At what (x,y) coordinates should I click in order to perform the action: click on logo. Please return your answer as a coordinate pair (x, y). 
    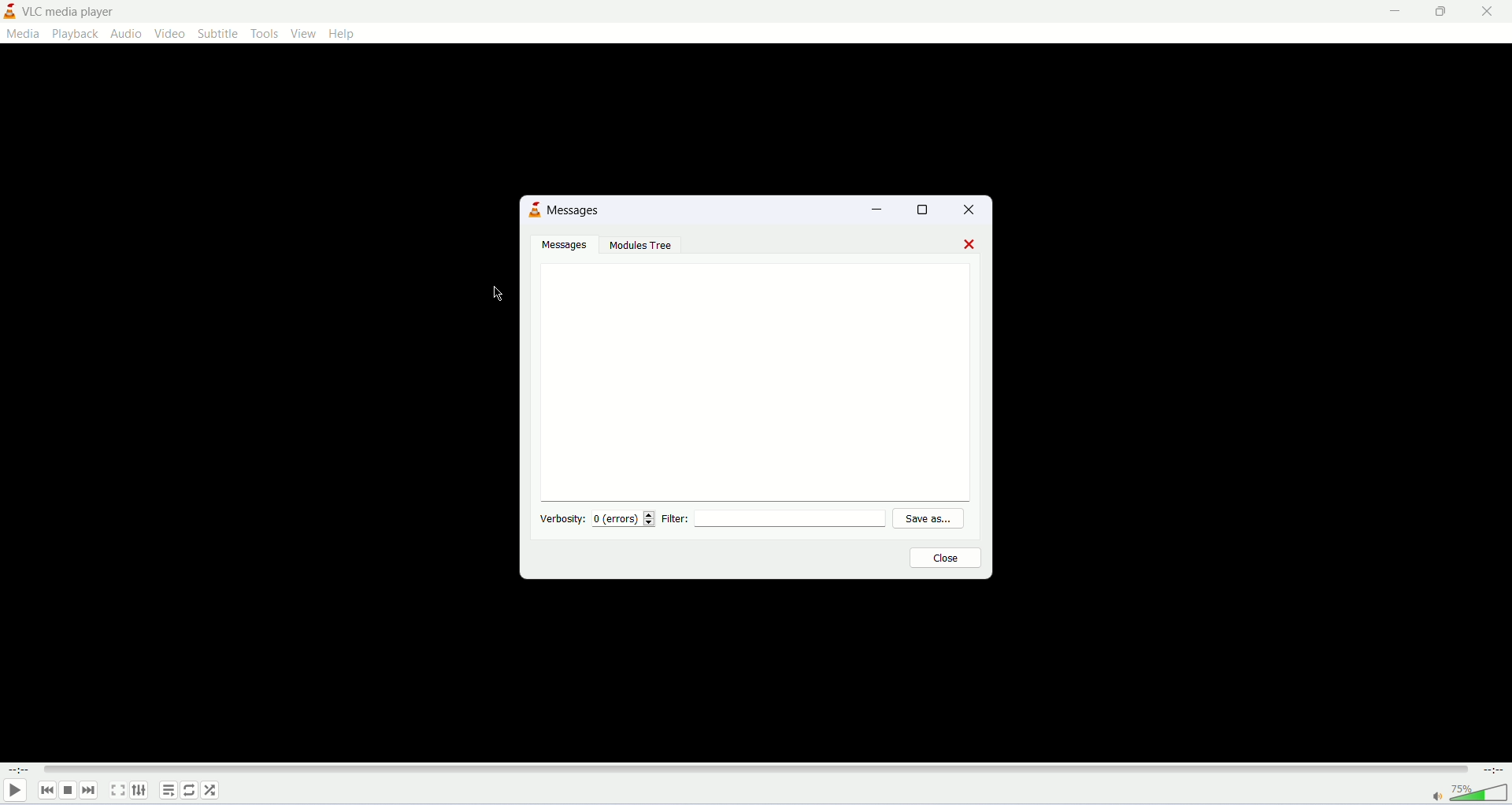
    Looking at the image, I should click on (9, 12).